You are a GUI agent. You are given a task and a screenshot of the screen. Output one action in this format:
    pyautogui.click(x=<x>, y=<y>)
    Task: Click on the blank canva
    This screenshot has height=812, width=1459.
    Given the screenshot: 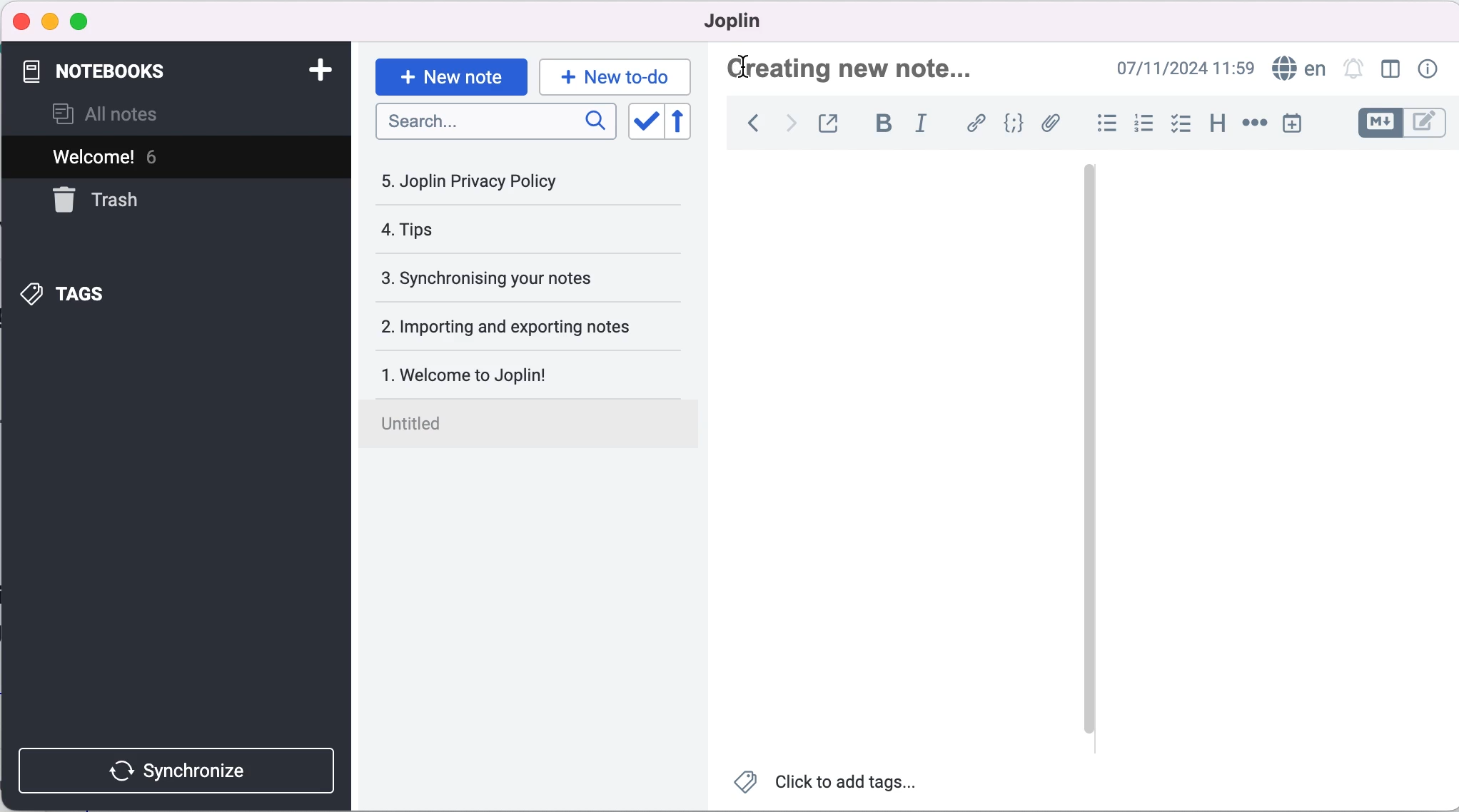 What is the action you would take?
    pyautogui.click(x=1248, y=448)
    